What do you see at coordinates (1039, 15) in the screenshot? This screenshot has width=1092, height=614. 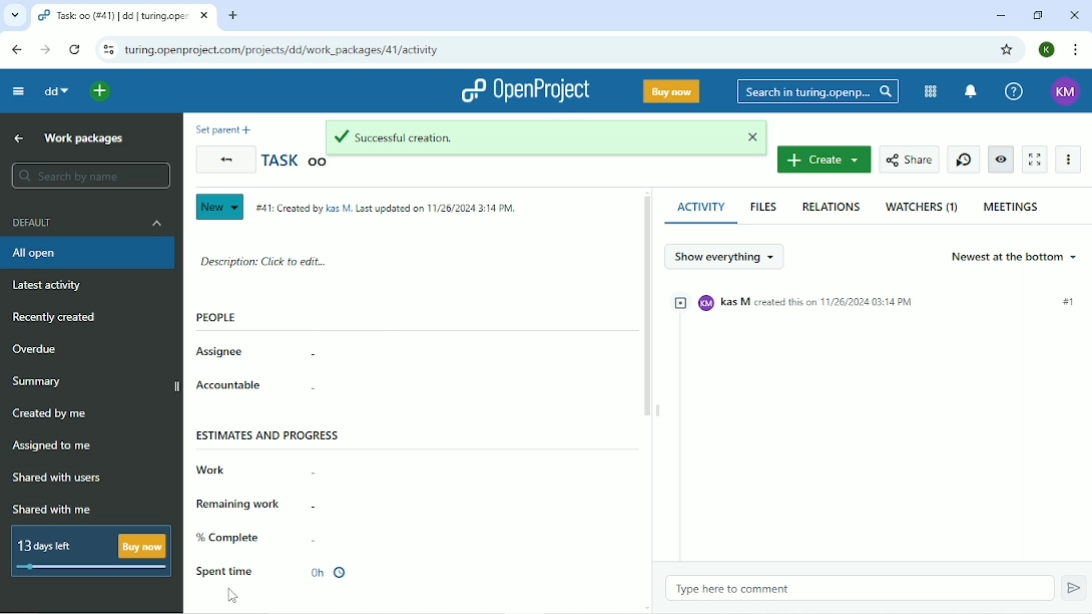 I see `Restore down` at bounding box center [1039, 15].